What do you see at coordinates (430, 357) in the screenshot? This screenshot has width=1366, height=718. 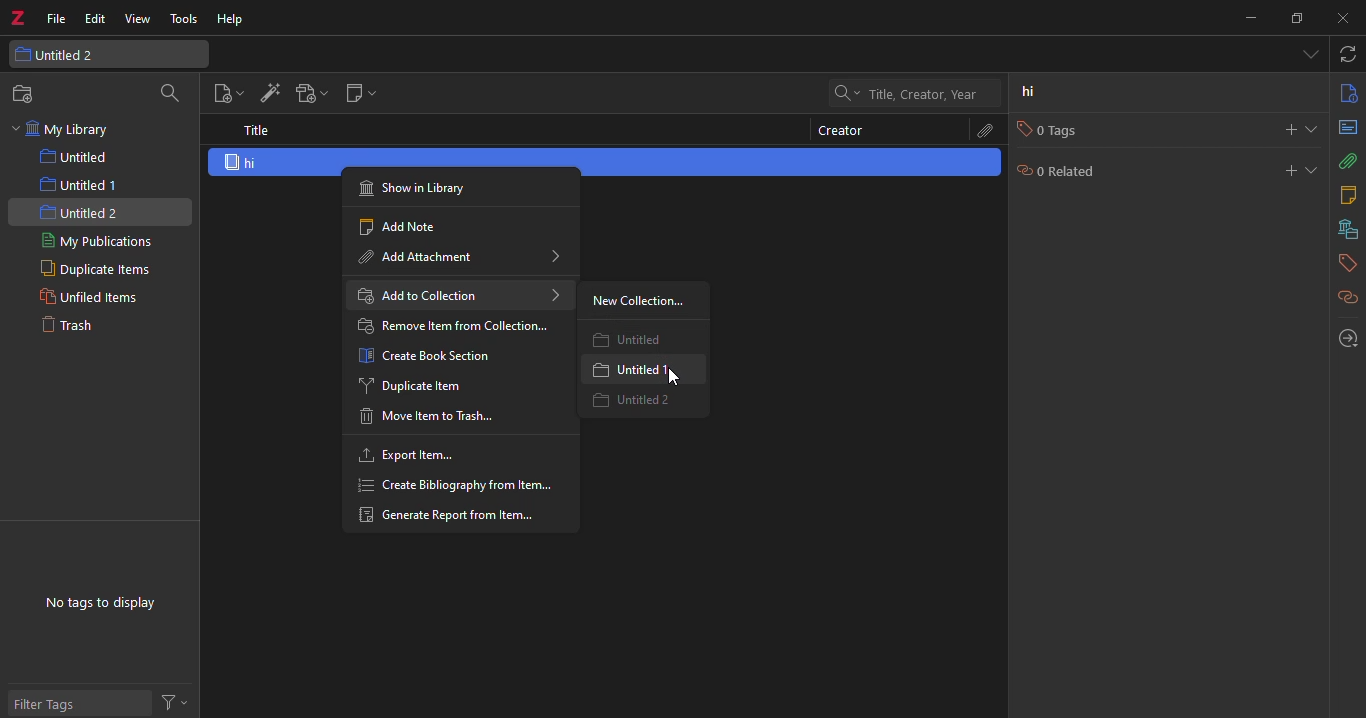 I see `create book section` at bounding box center [430, 357].